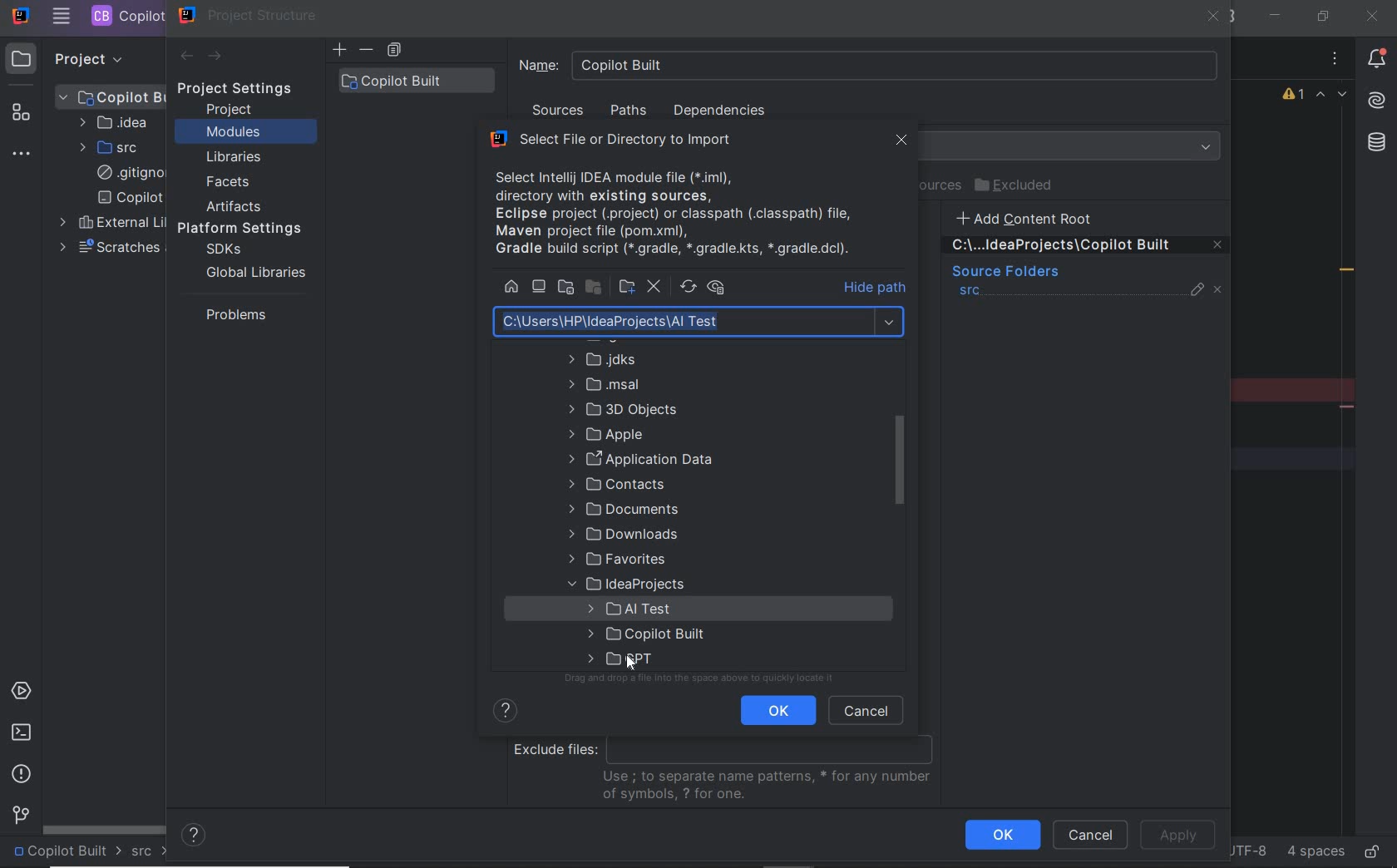 The image size is (1397, 868). Describe the element at coordinates (1347, 272) in the screenshot. I see `redundant call` at that location.